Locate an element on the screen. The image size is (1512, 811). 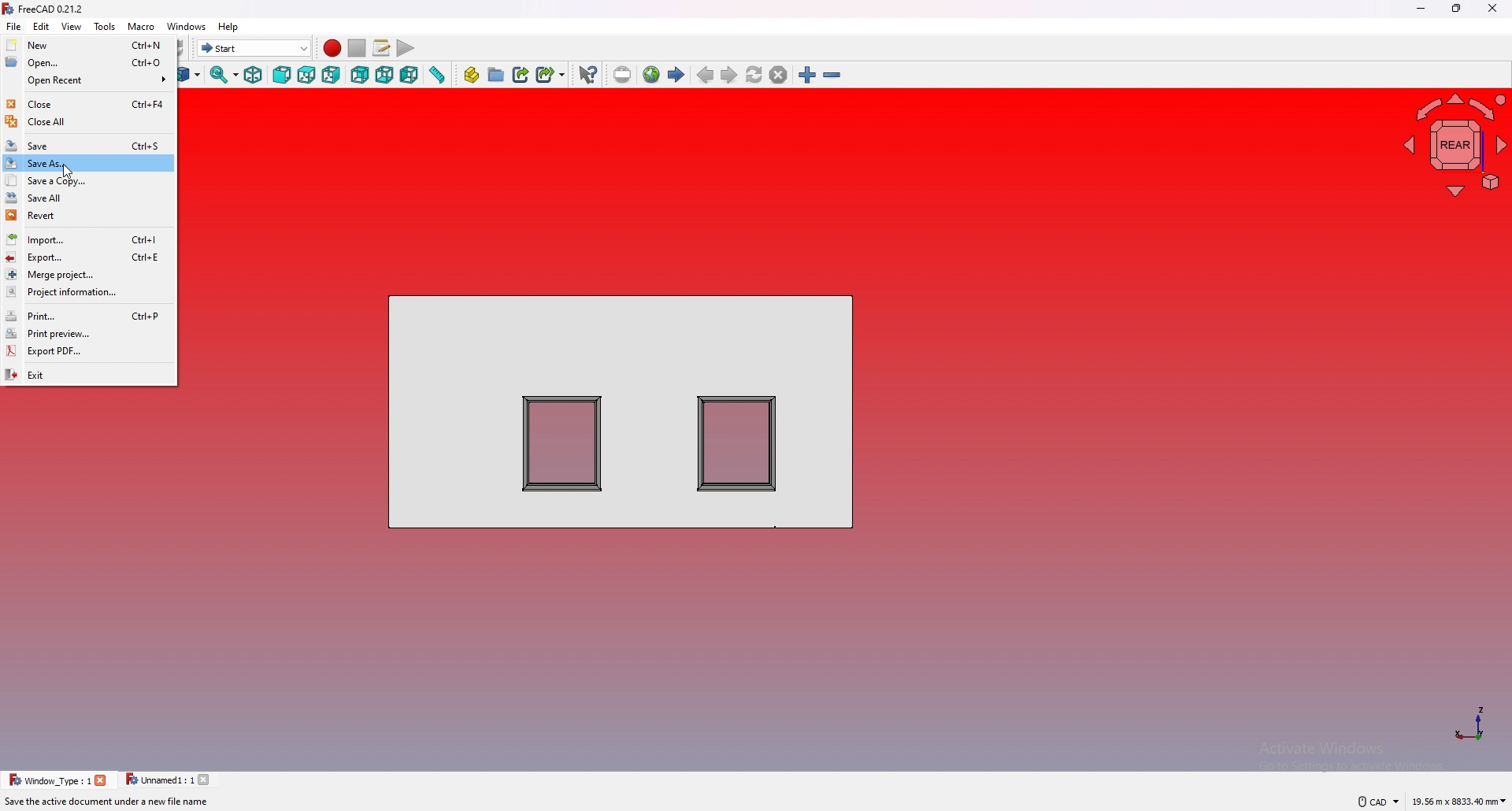
isometric is located at coordinates (254, 76).